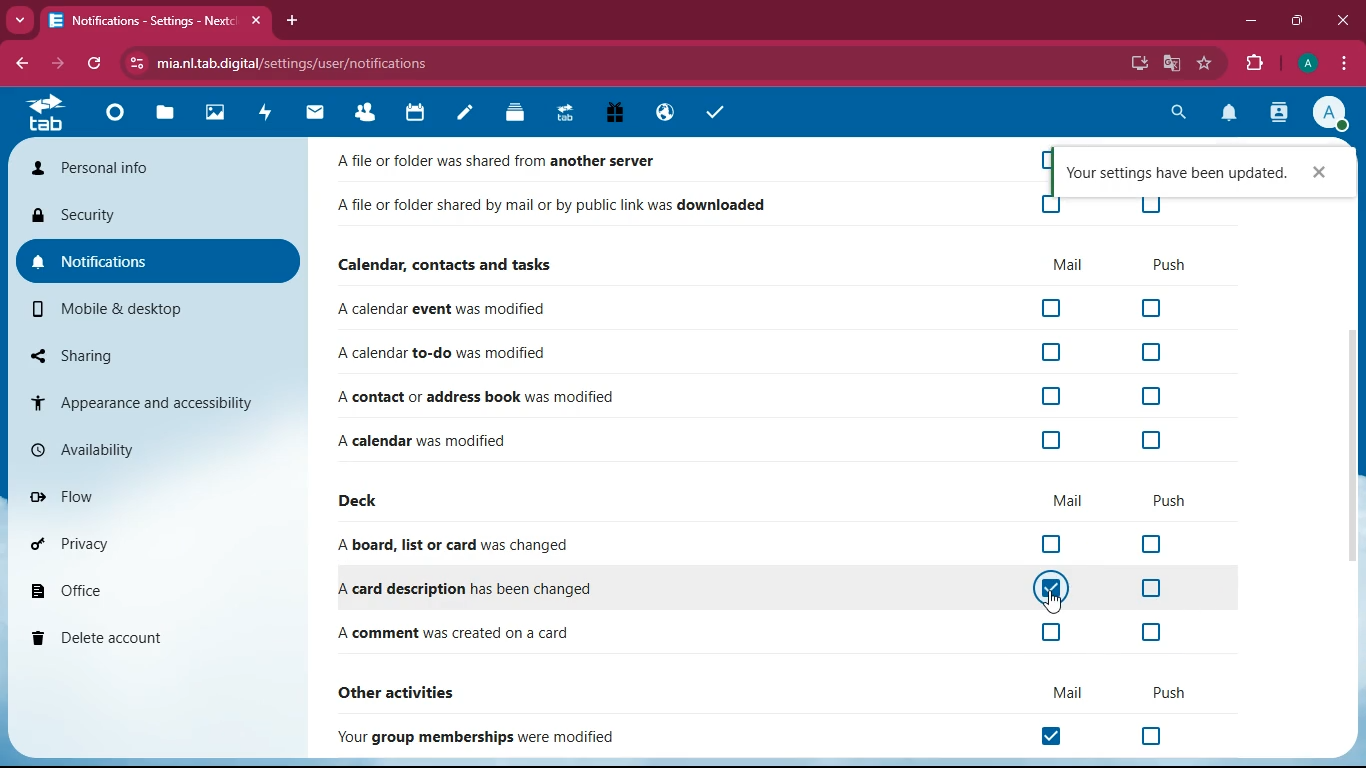 The width and height of the screenshot is (1366, 768). What do you see at coordinates (508, 162) in the screenshot?
I see `A Tile or folder was shared from another server` at bounding box center [508, 162].